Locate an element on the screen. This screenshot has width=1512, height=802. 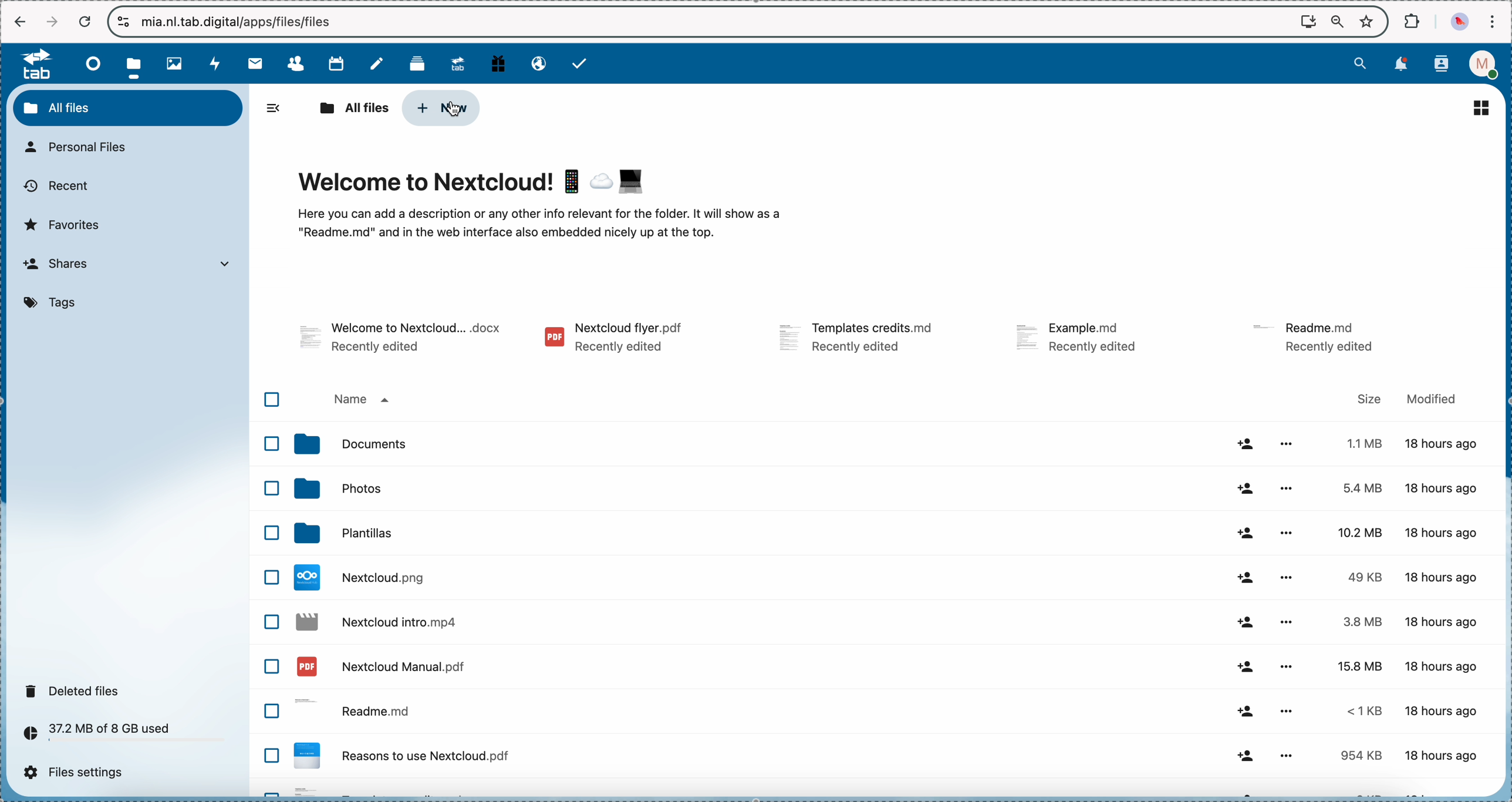
click on new is located at coordinates (440, 108).